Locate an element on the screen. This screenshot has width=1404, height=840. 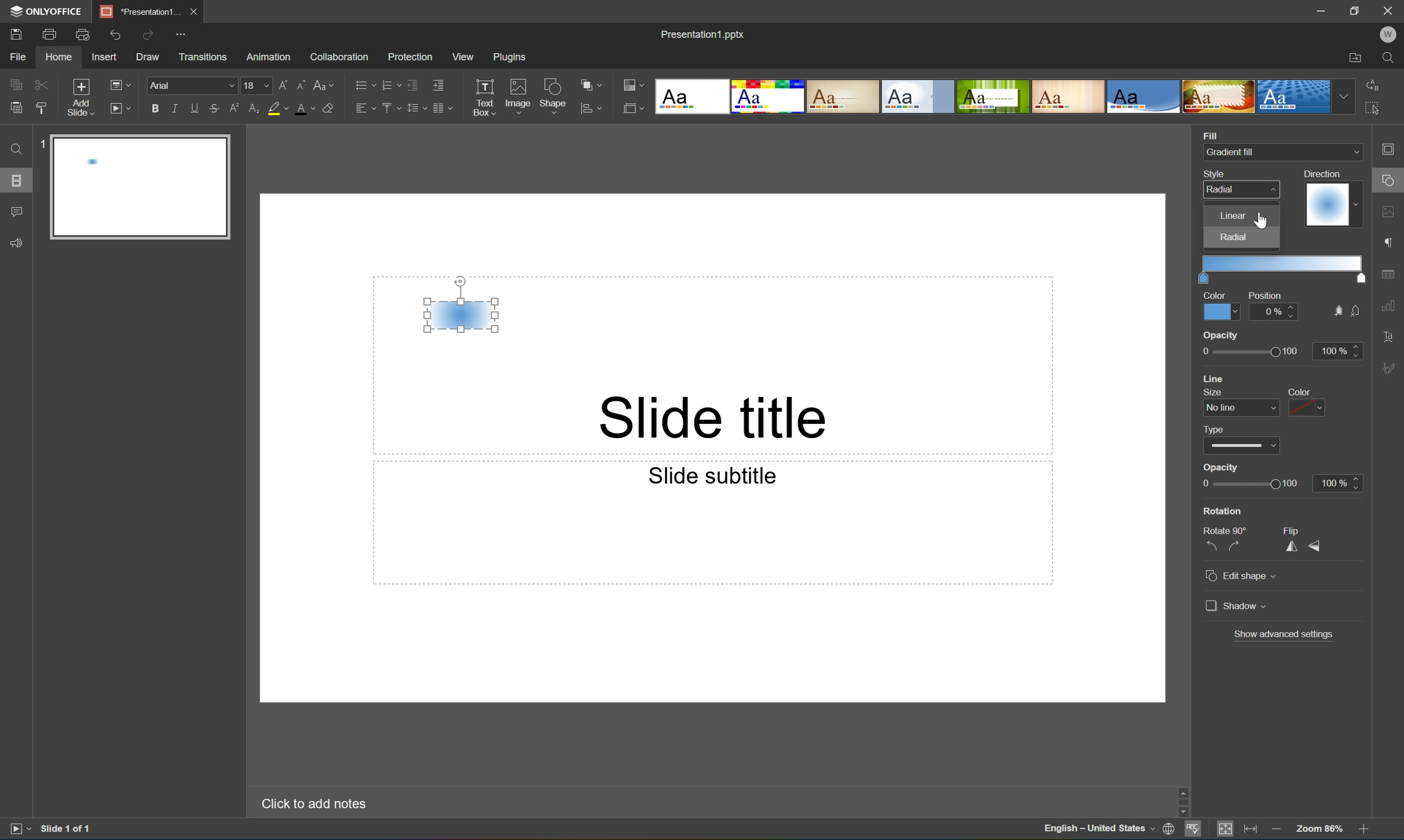
Customize quick access toolbar is located at coordinates (185, 33).